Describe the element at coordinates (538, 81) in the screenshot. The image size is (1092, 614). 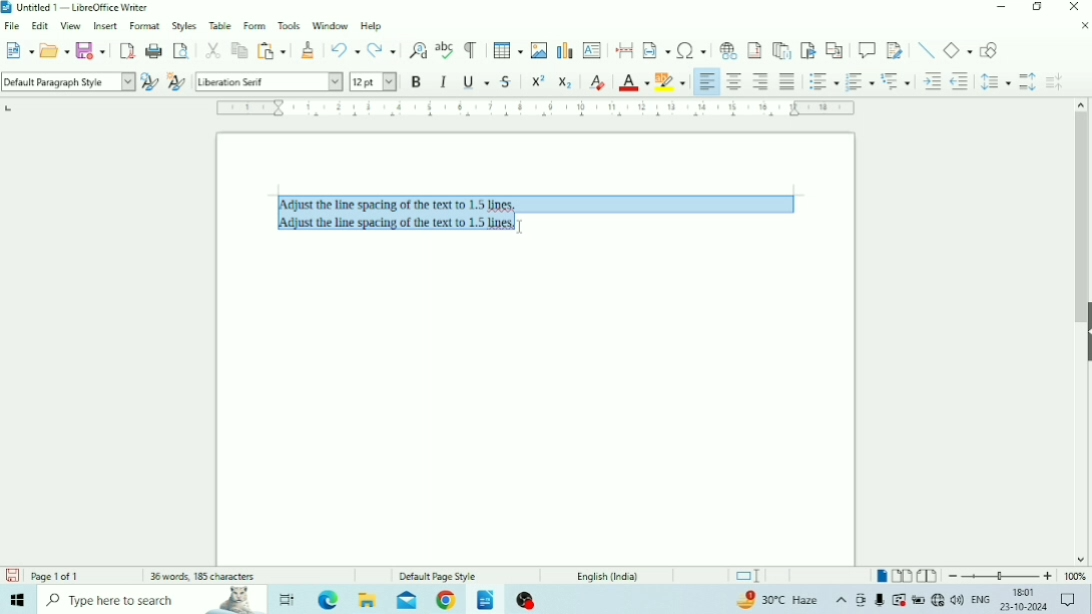
I see `Superscript` at that location.